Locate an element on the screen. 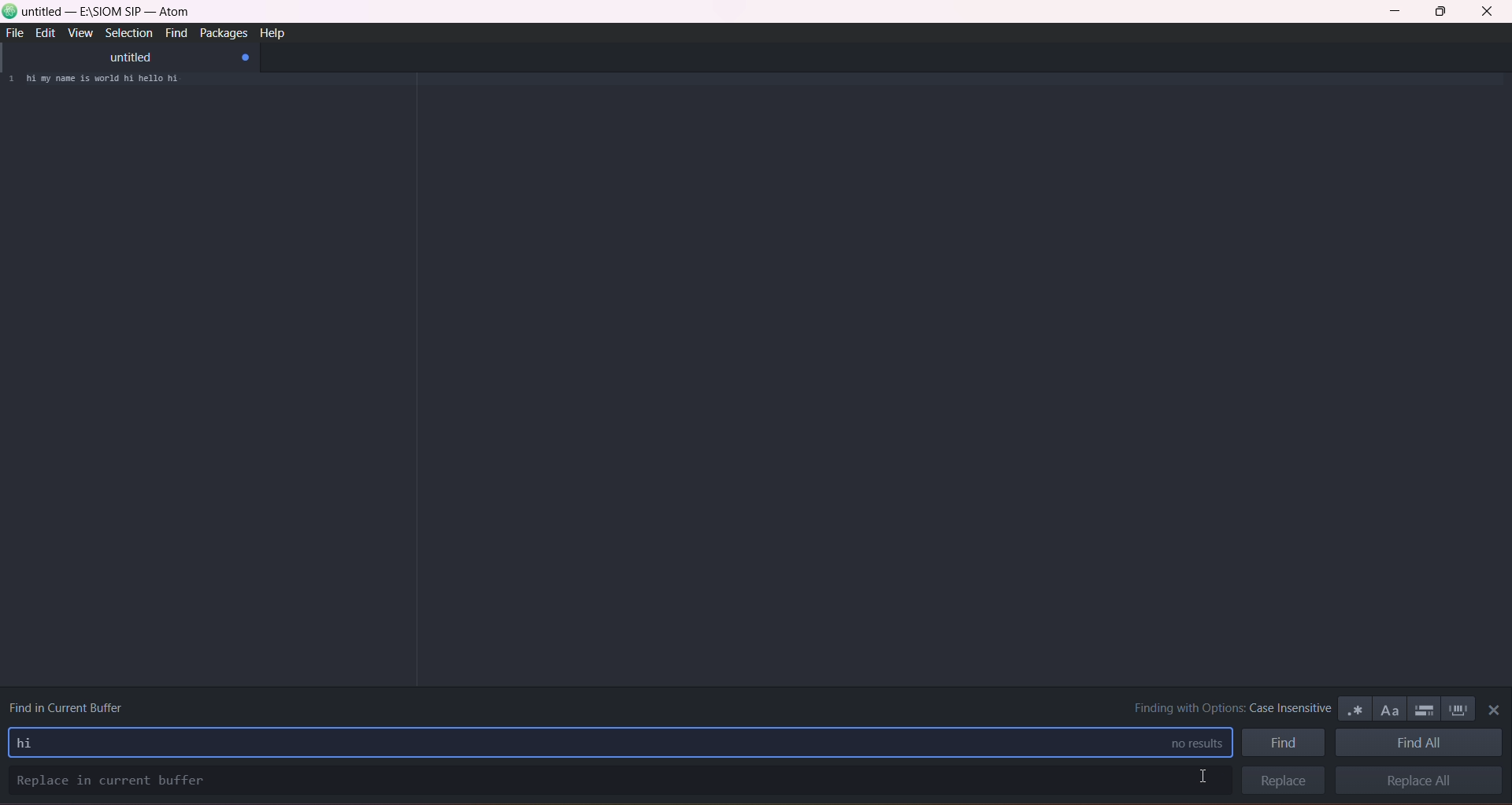  find in current buffer is located at coordinates (72, 704).